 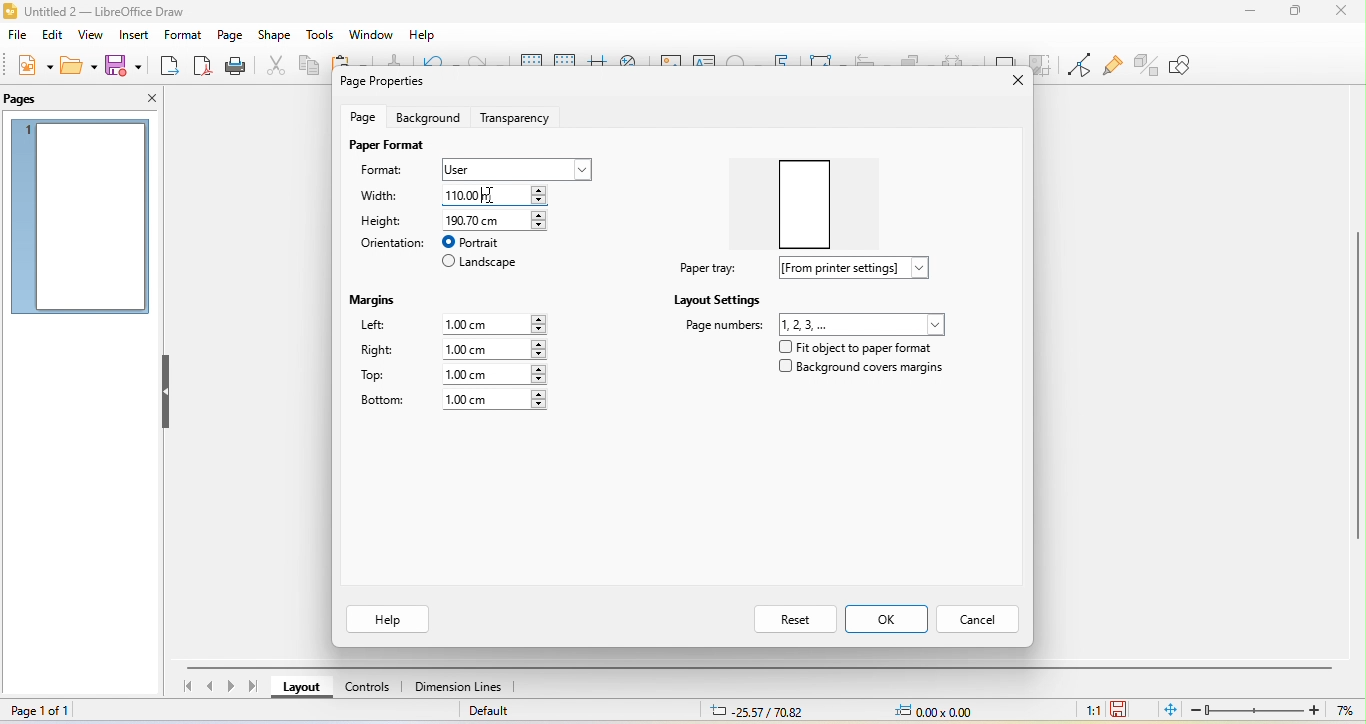 What do you see at coordinates (1089, 709) in the screenshot?
I see `1:1` at bounding box center [1089, 709].